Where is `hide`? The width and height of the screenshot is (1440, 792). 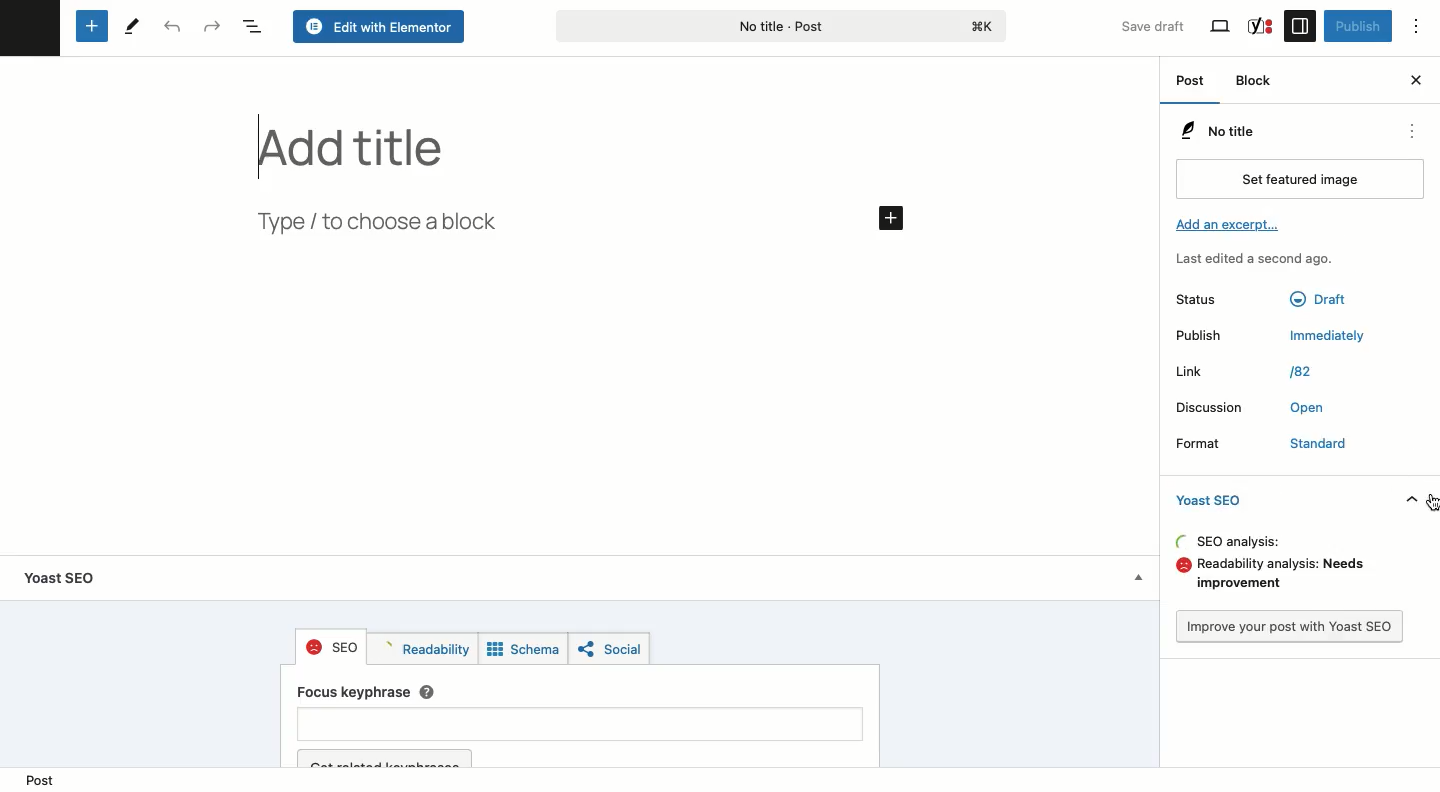 hide is located at coordinates (1408, 500).